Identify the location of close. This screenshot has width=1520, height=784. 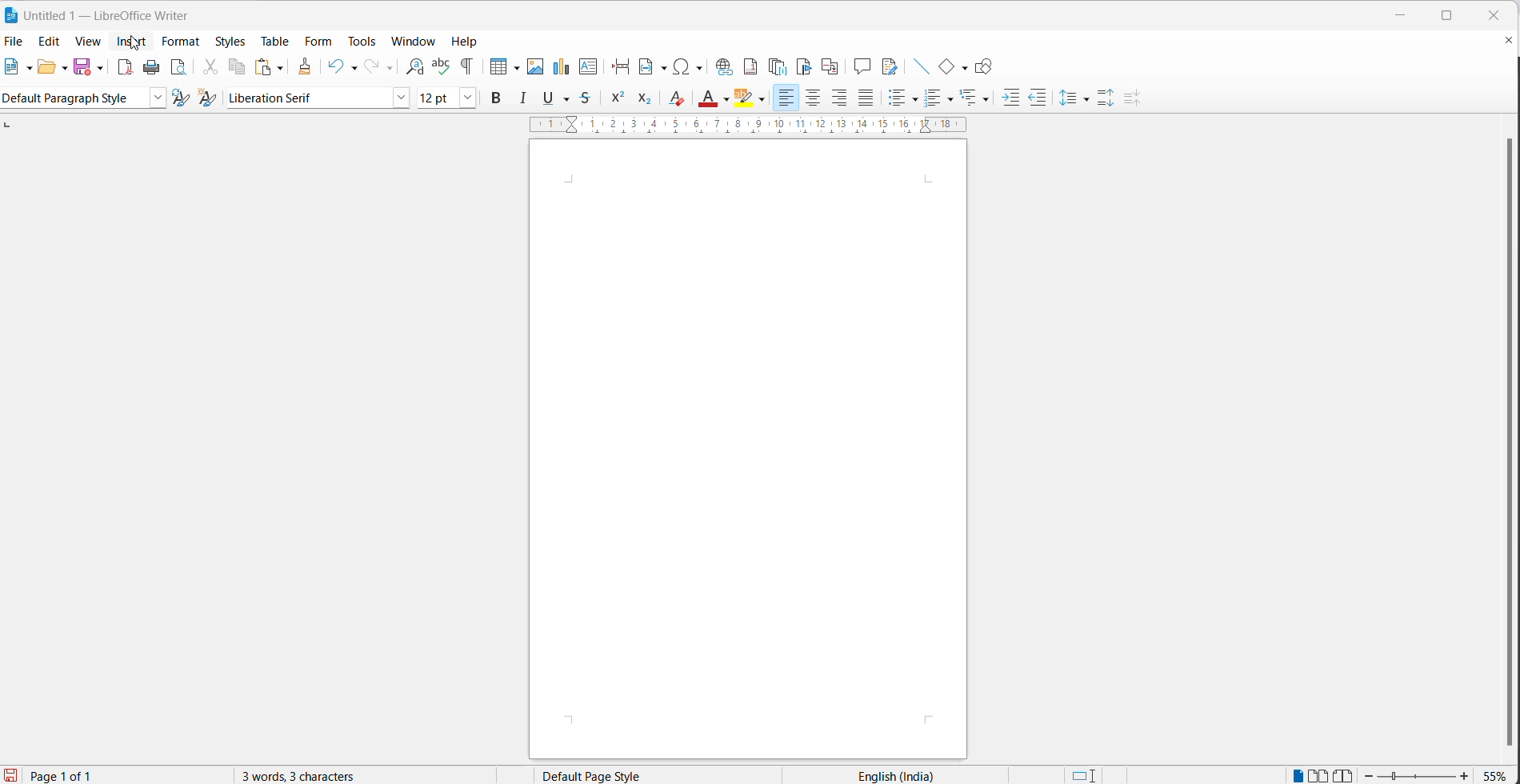
(748, 453).